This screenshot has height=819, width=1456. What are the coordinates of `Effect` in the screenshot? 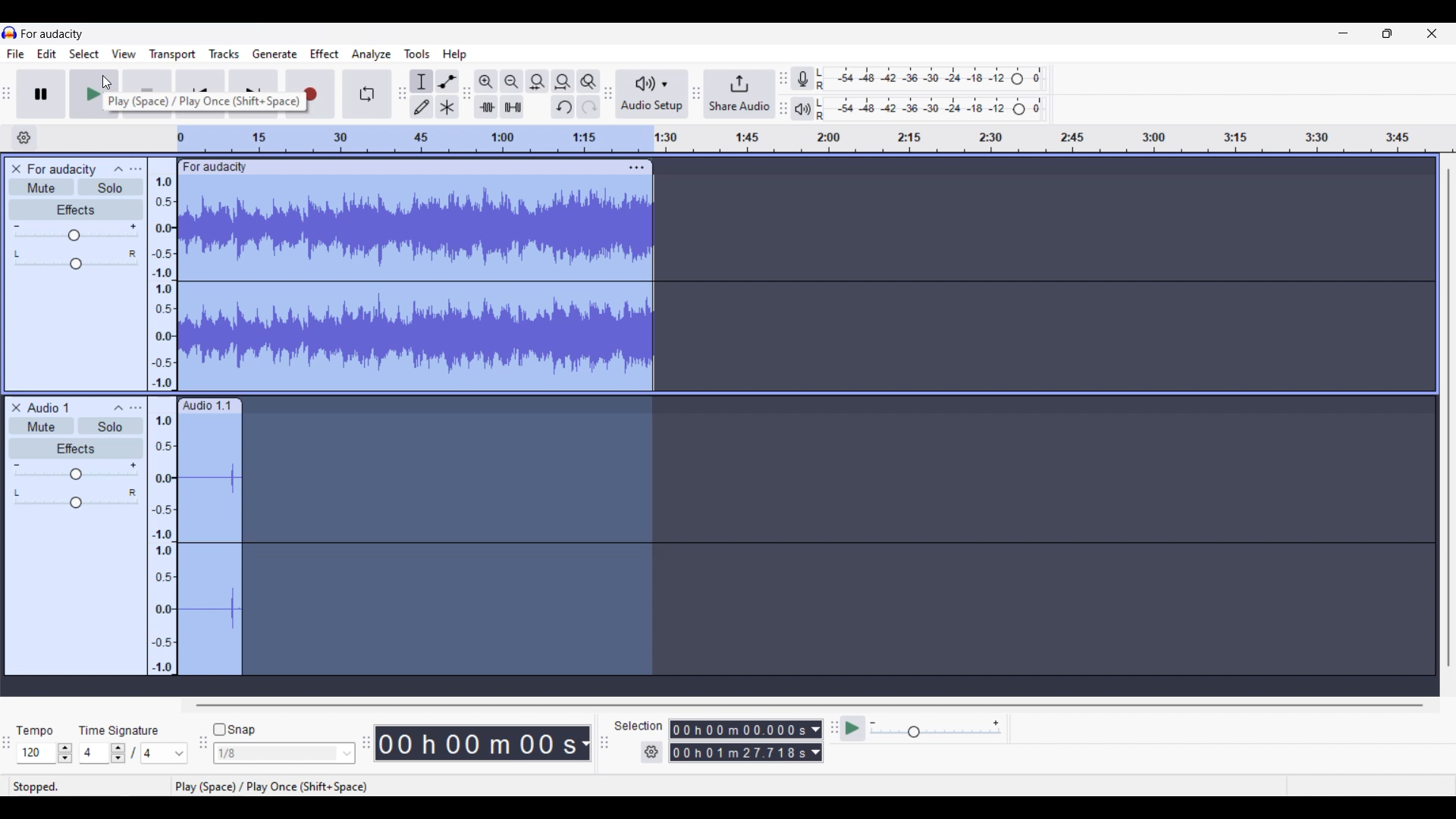 It's located at (324, 54).